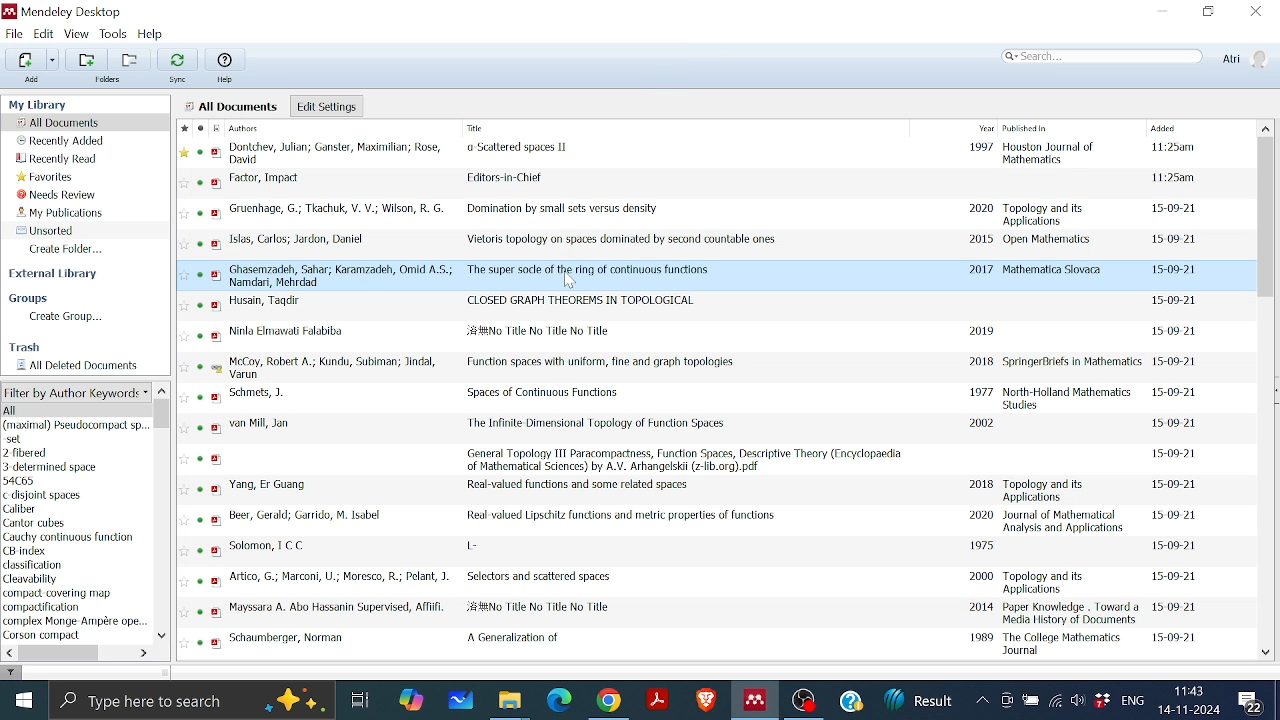  I want to click on , so click(1078, 700).